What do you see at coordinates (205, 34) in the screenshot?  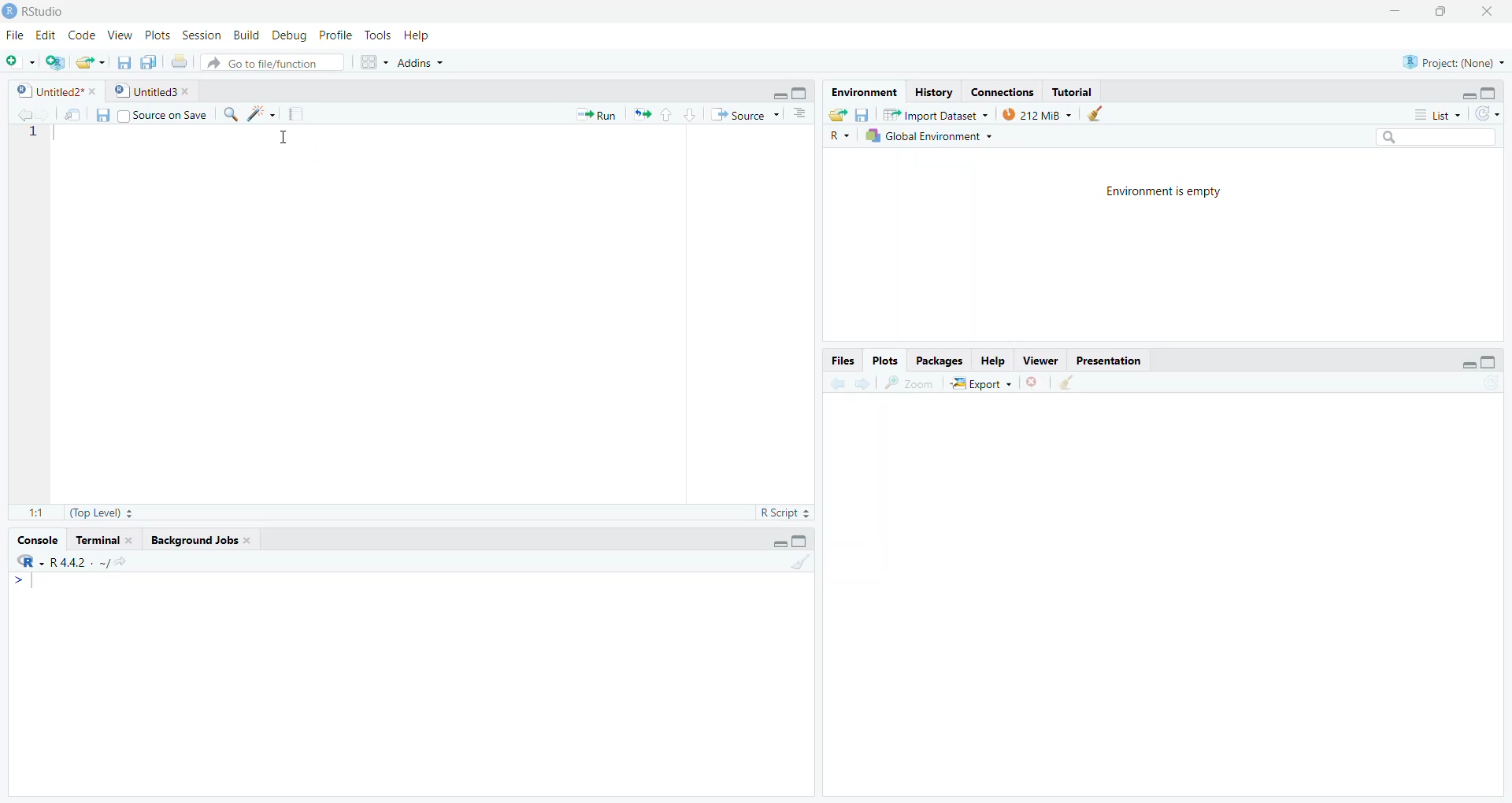 I see `session` at bounding box center [205, 34].